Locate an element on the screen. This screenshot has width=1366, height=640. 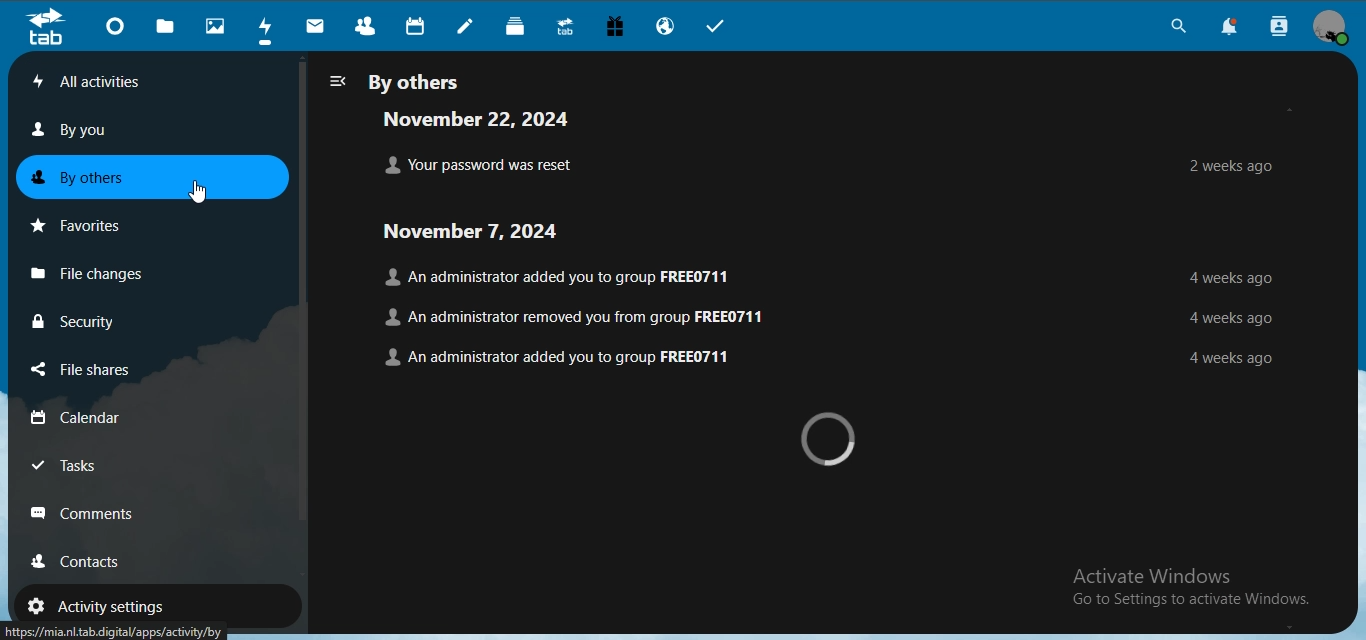
tasks is located at coordinates (79, 465).